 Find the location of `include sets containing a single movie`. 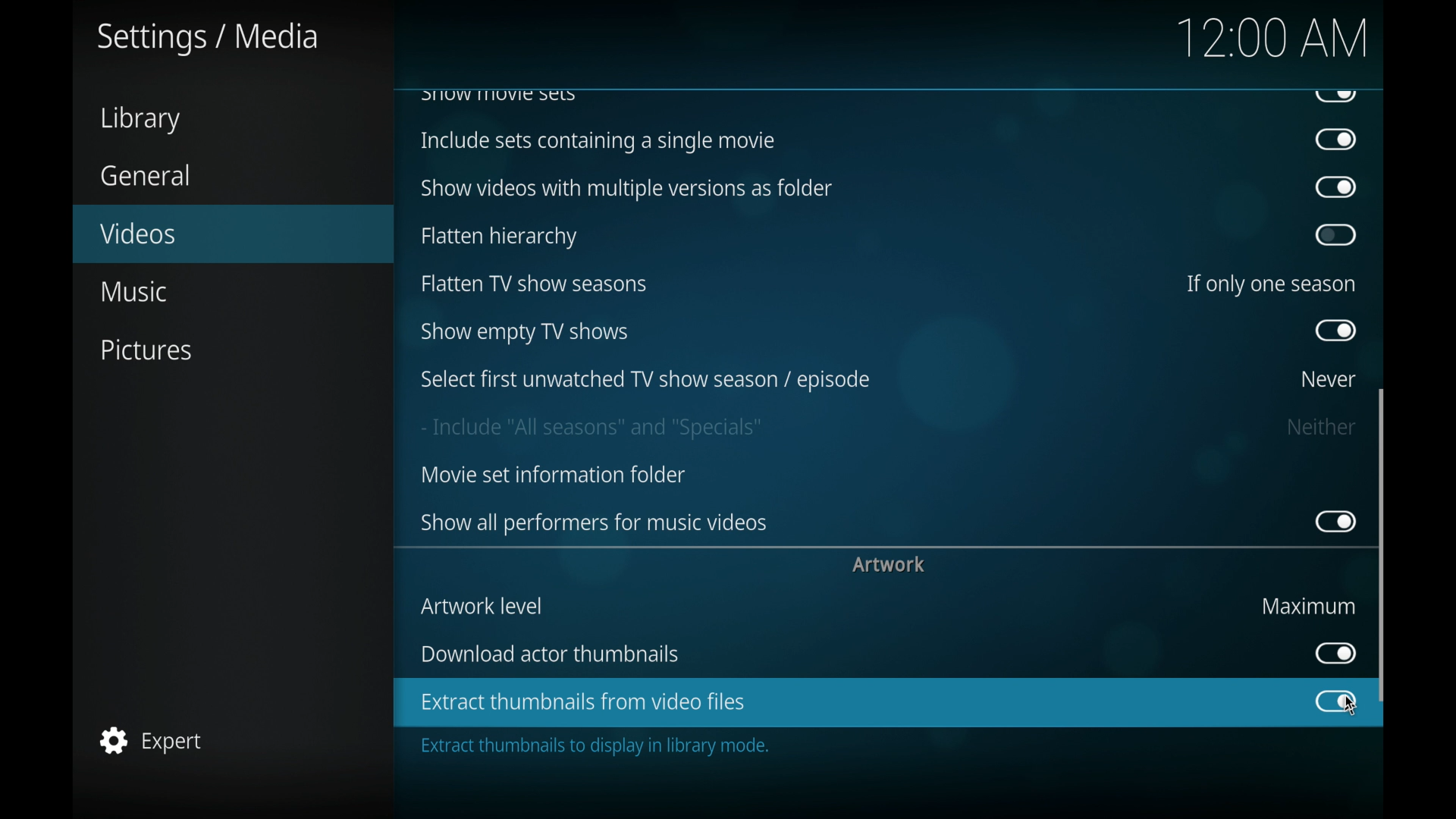

include sets containing a single movie is located at coordinates (598, 141).